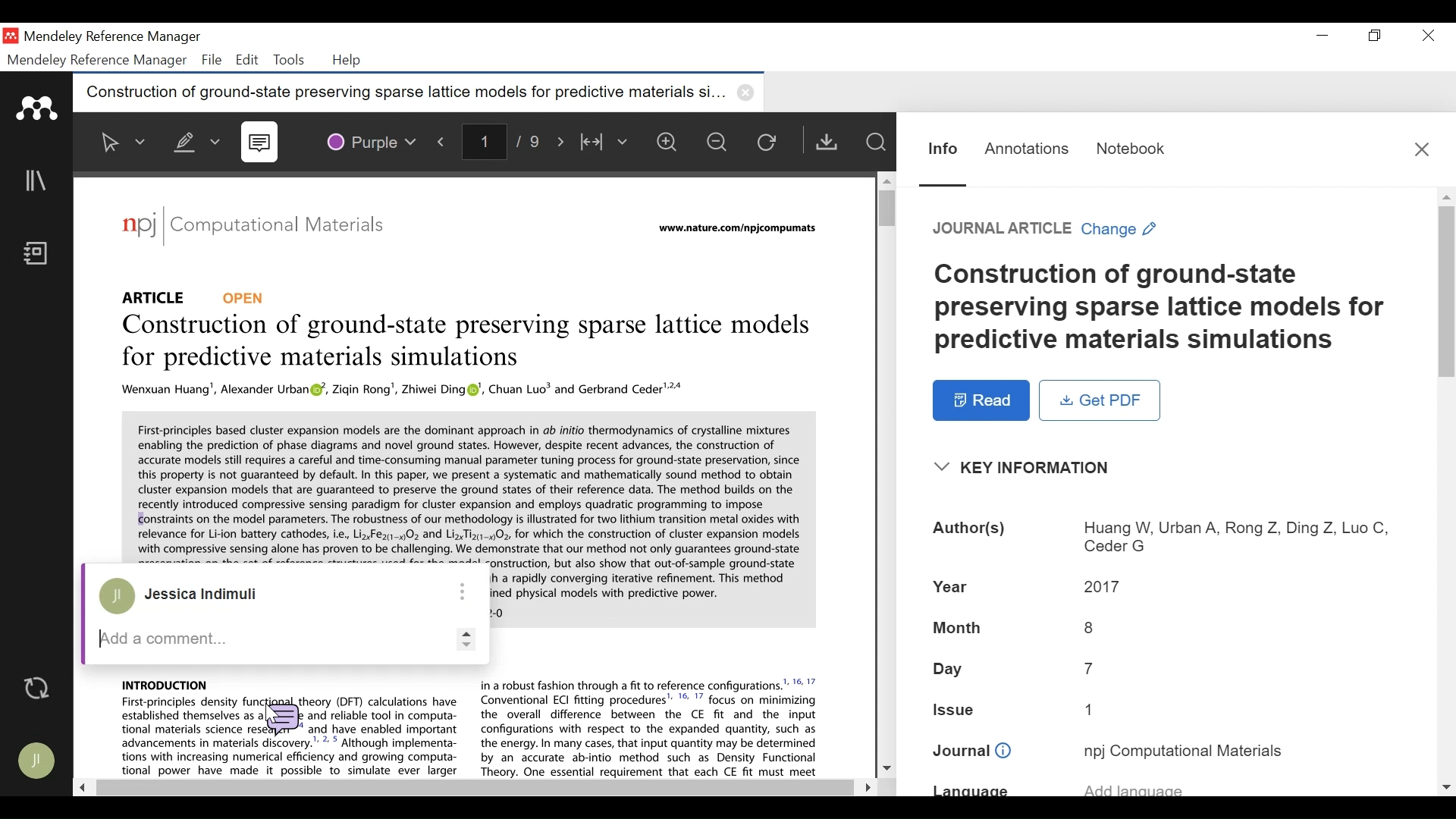  What do you see at coordinates (193, 139) in the screenshot?
I see `Highlight` at bounding box center [193, 139].